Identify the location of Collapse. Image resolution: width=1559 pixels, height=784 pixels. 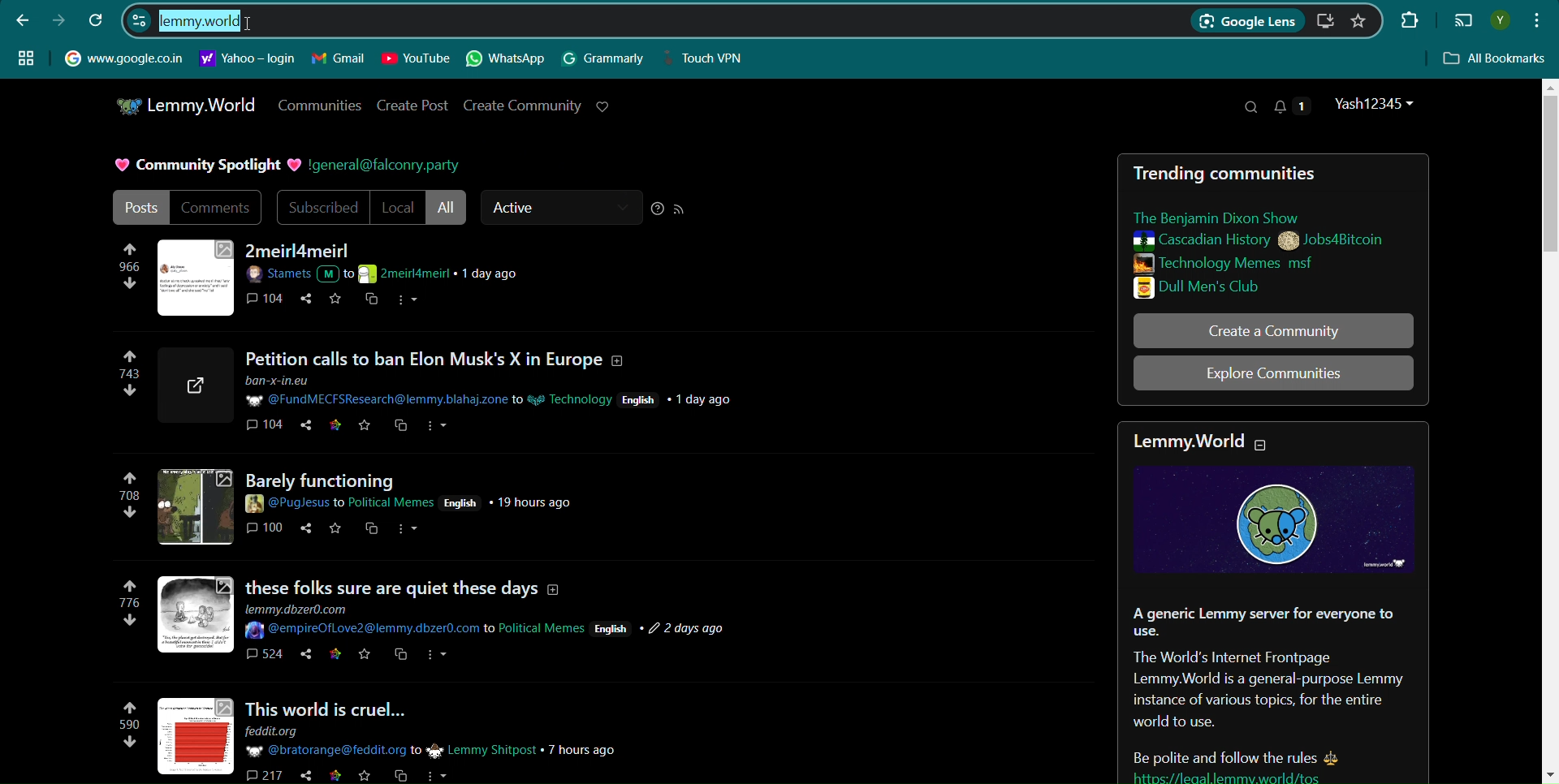
(1275, 442).